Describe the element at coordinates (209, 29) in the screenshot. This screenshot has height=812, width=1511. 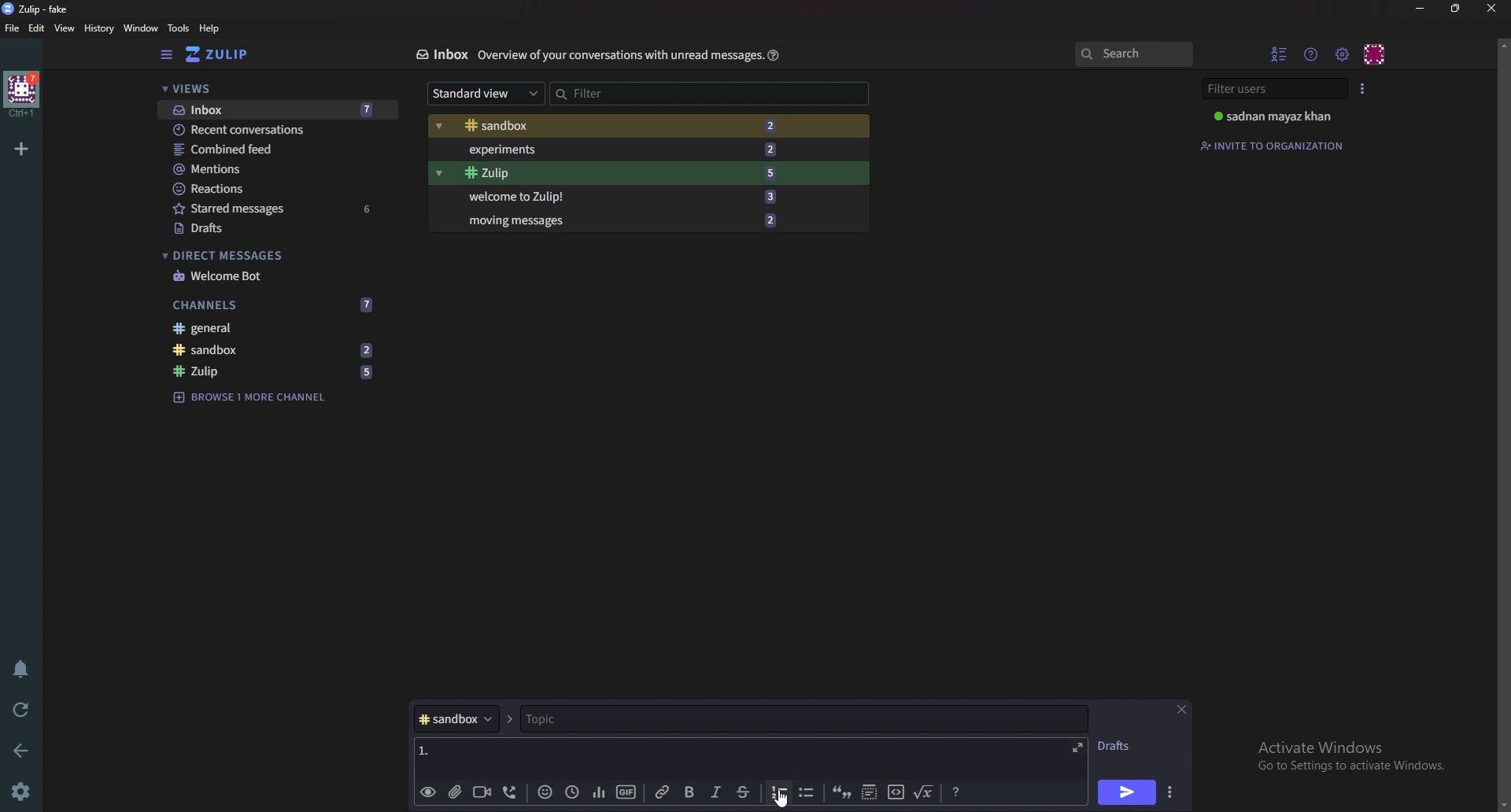
I see `help` at that location.